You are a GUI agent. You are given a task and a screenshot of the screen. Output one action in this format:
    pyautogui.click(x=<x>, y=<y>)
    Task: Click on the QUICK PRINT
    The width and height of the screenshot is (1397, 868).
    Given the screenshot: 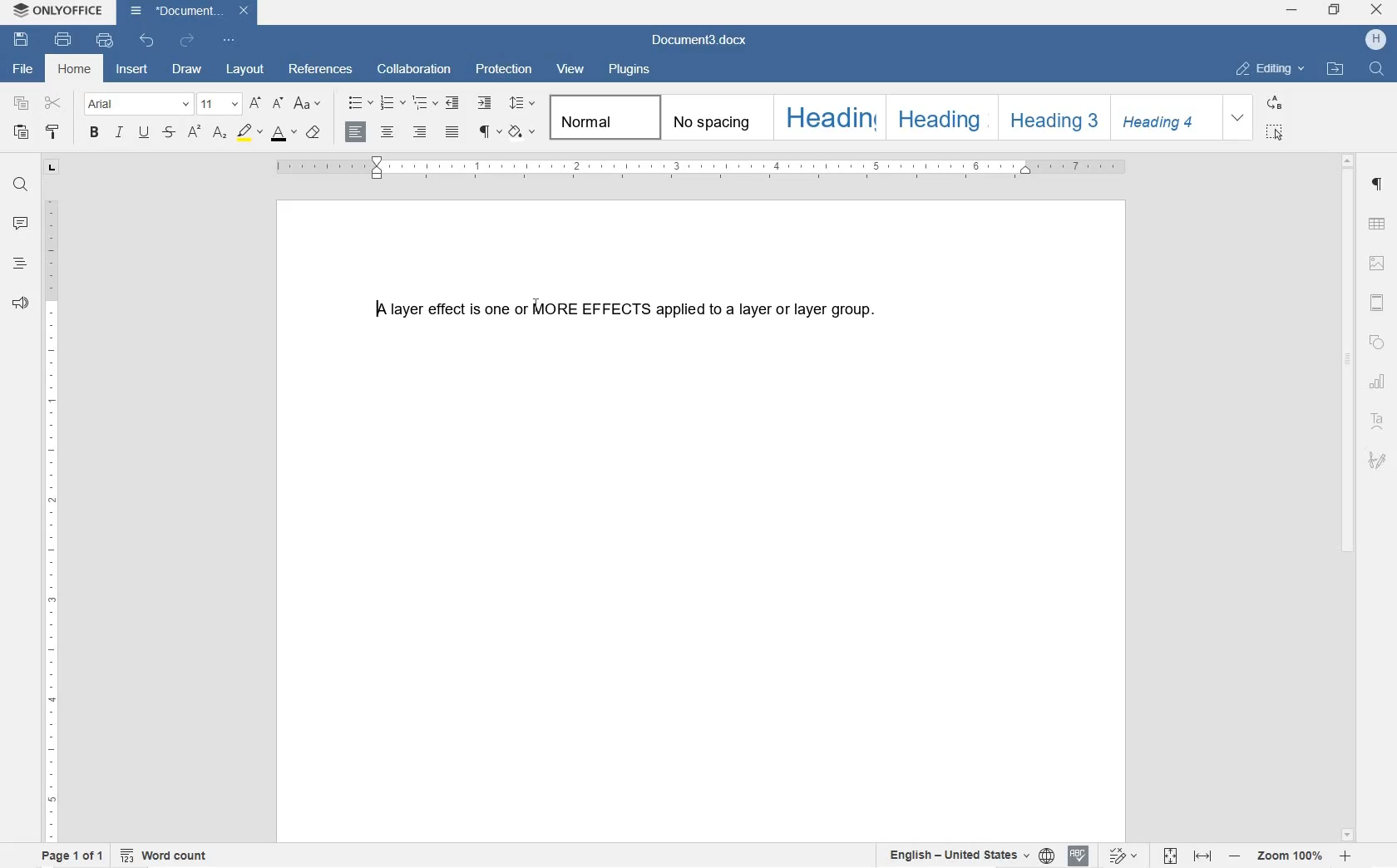 What is the action you would take?
    pyautogui.click(x=104, y=42)
    